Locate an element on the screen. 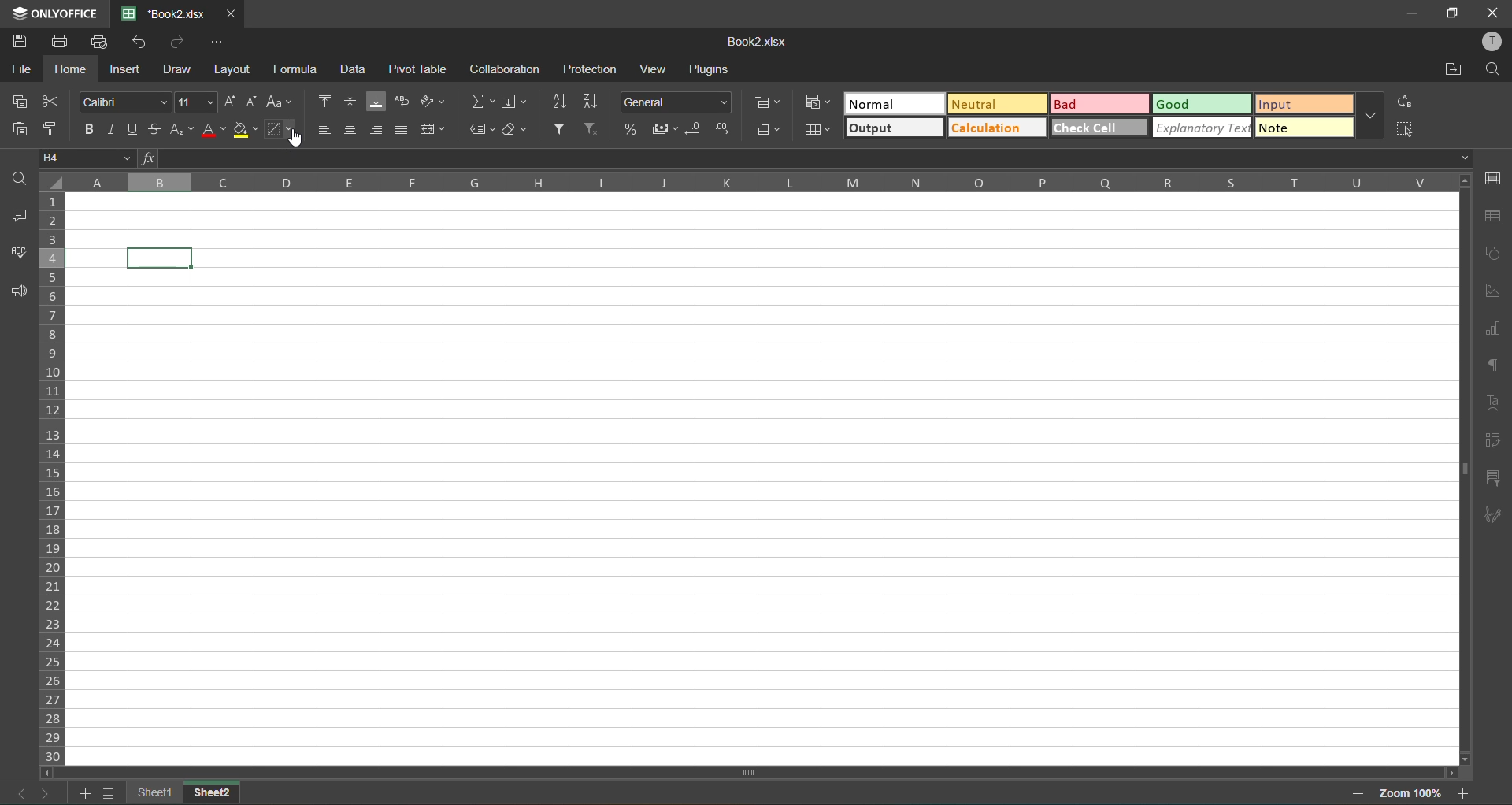 The image size is (1512, 805). wrap text is located at coordinates (401, 102).